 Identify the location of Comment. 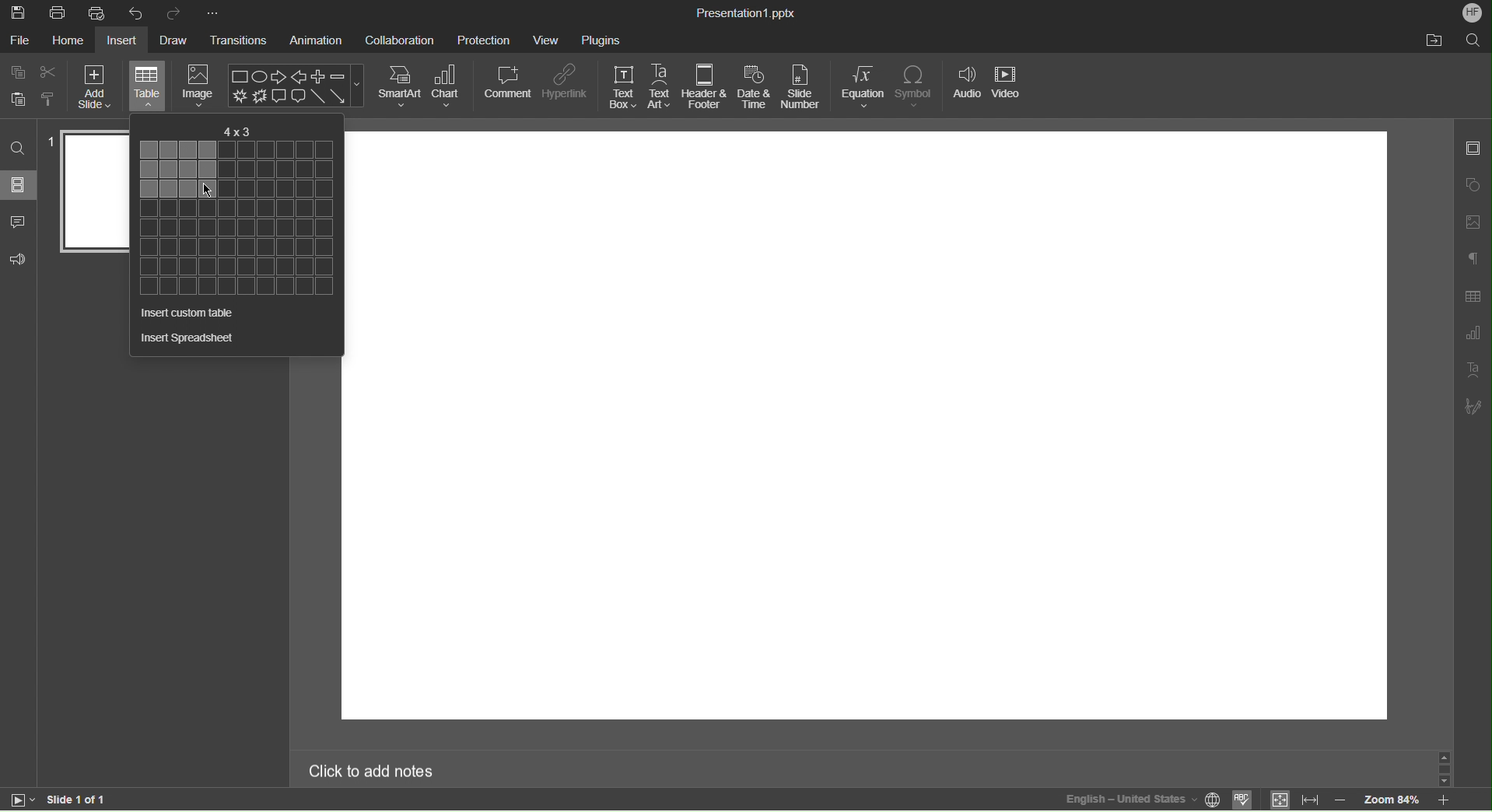
(509, 83).